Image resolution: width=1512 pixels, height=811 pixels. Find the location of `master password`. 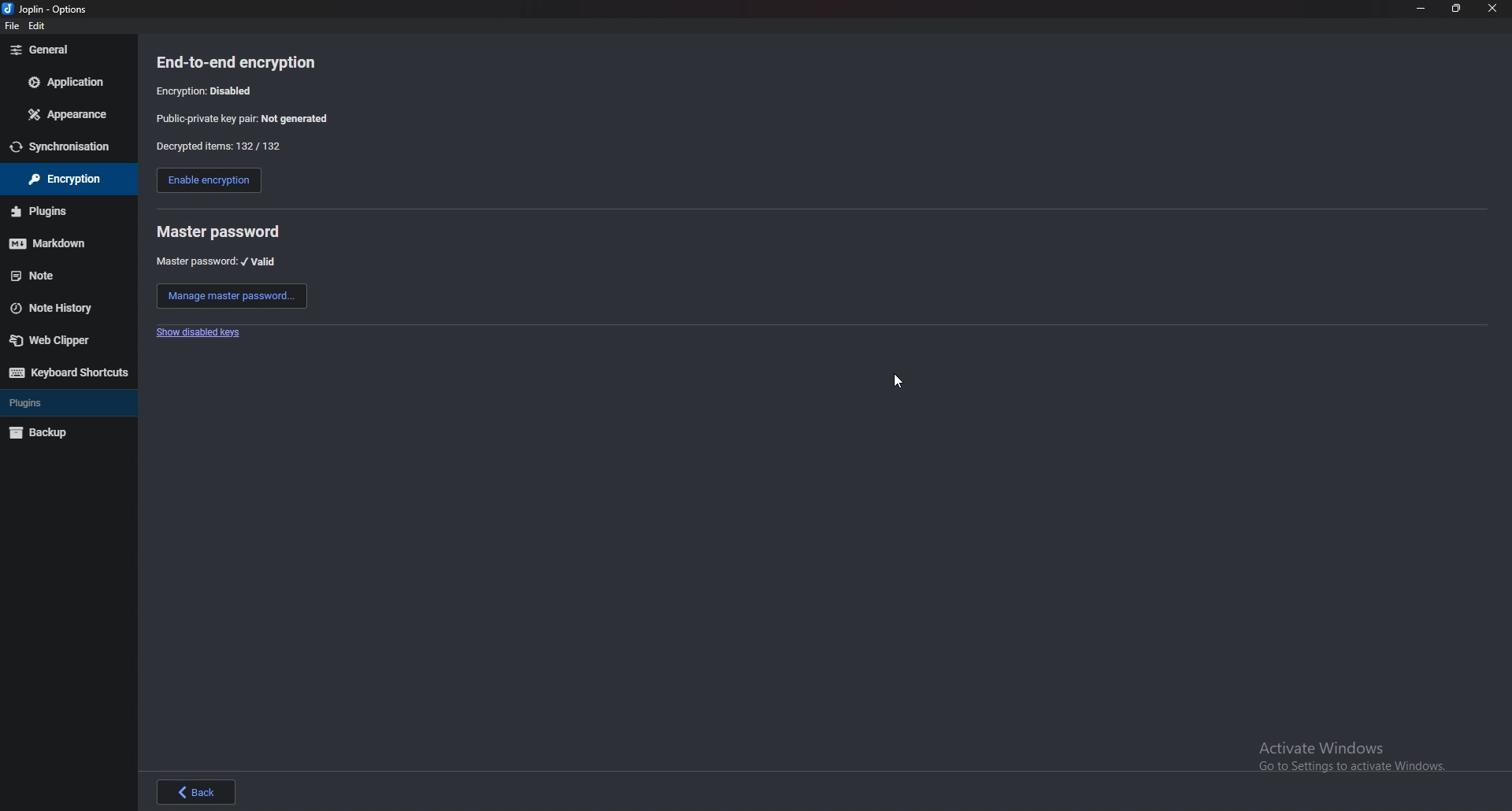

master password is located at coordinates (218, 231).